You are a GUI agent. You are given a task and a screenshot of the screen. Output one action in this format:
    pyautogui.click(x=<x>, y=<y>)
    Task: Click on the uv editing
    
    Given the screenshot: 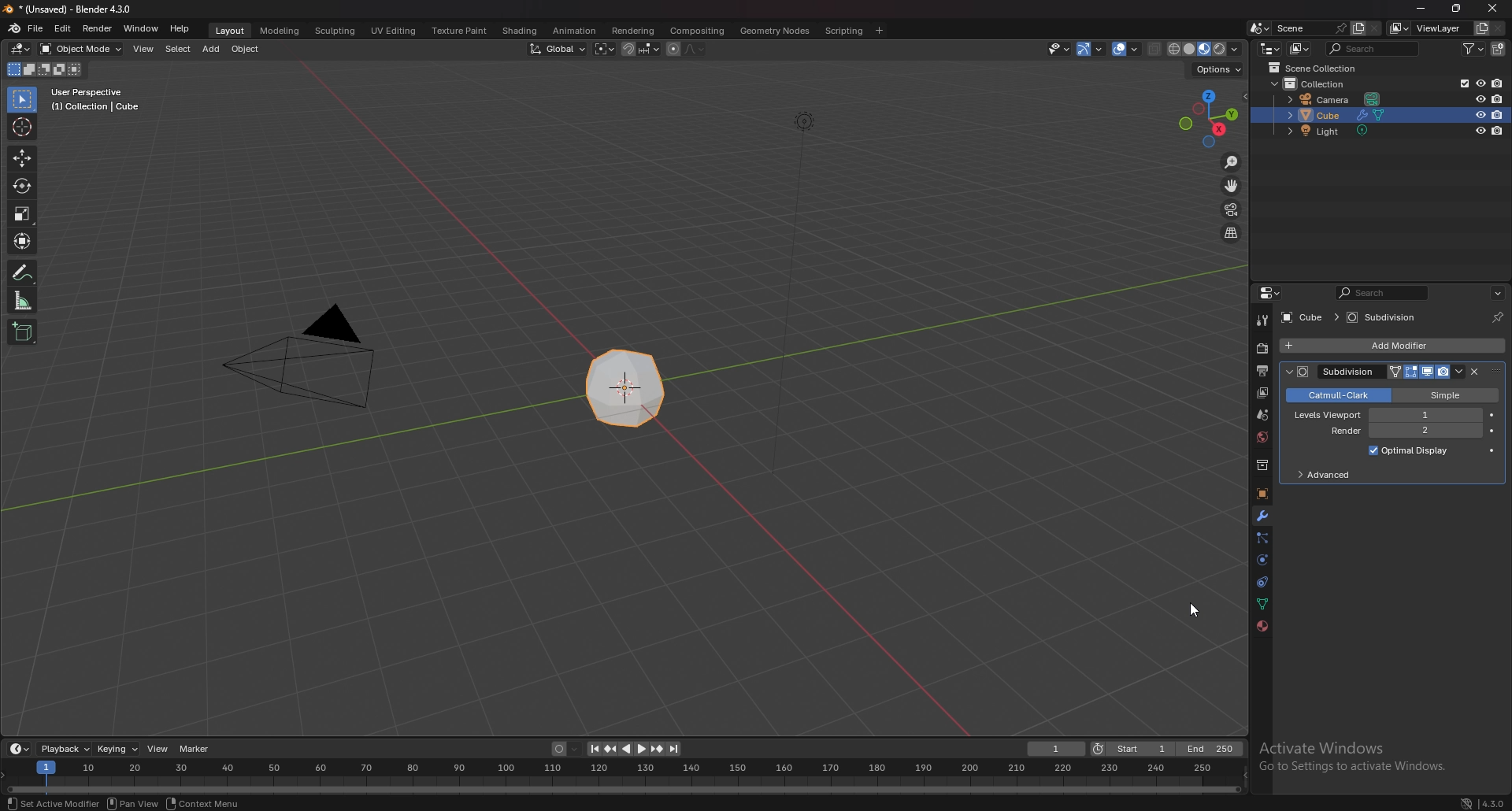 What is the action you would take?
    pyautogui.click(x=392, y=30)
    